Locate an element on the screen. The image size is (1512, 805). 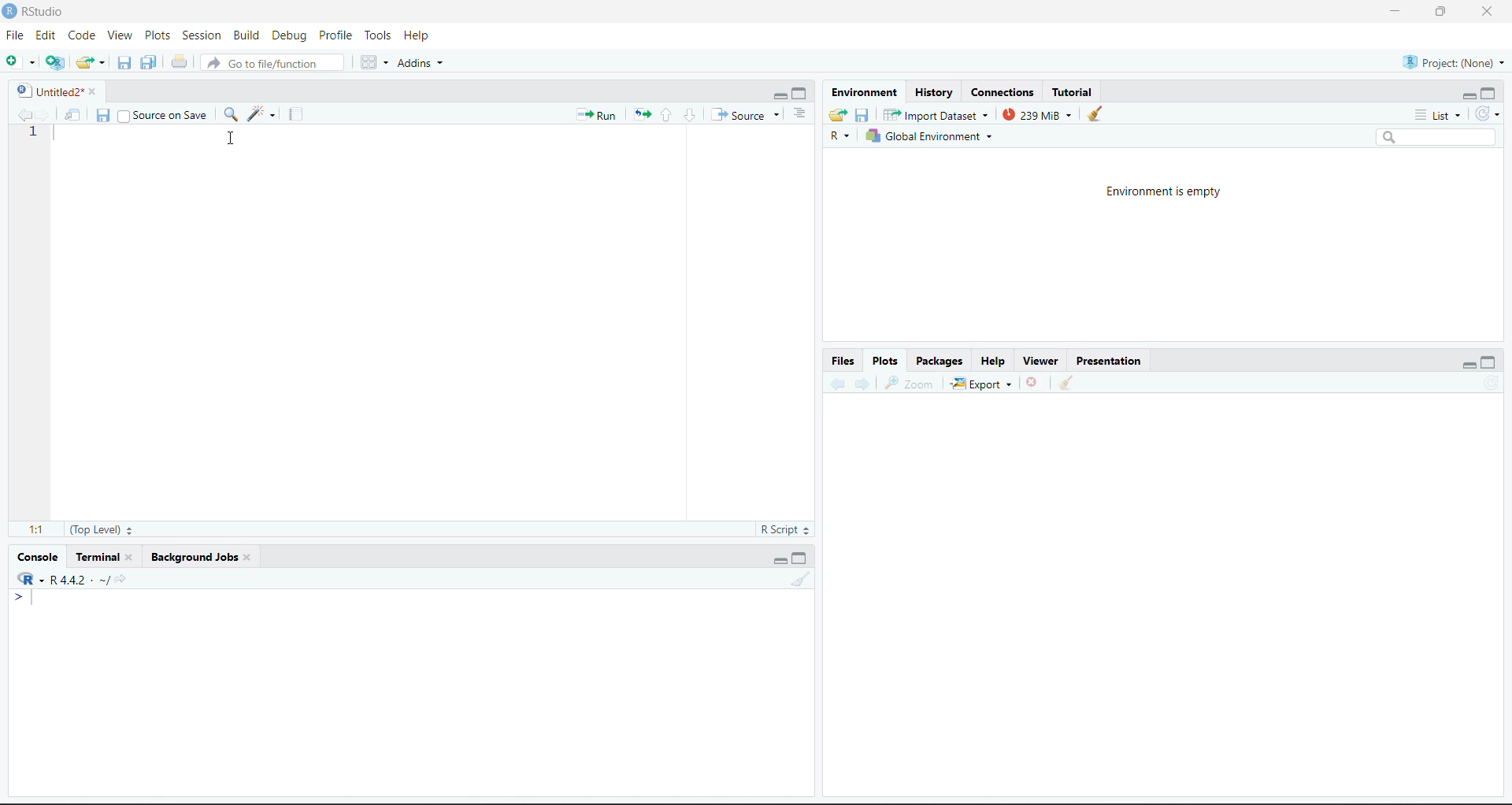
Maximize is located at coordinates (802, 557).